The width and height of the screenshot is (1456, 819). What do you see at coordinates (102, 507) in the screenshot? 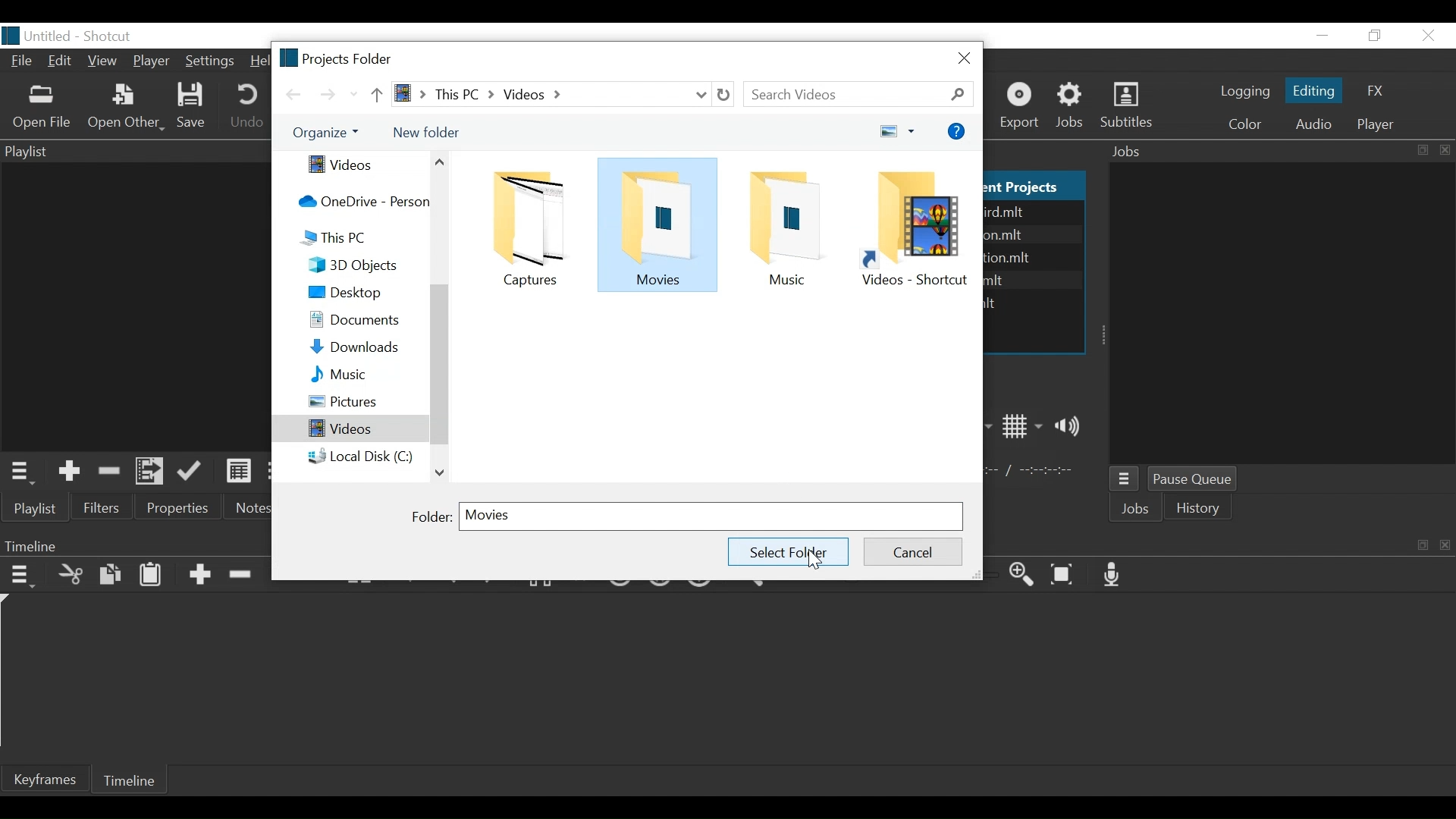
I see `Filters` at bounding box center [102, 507].